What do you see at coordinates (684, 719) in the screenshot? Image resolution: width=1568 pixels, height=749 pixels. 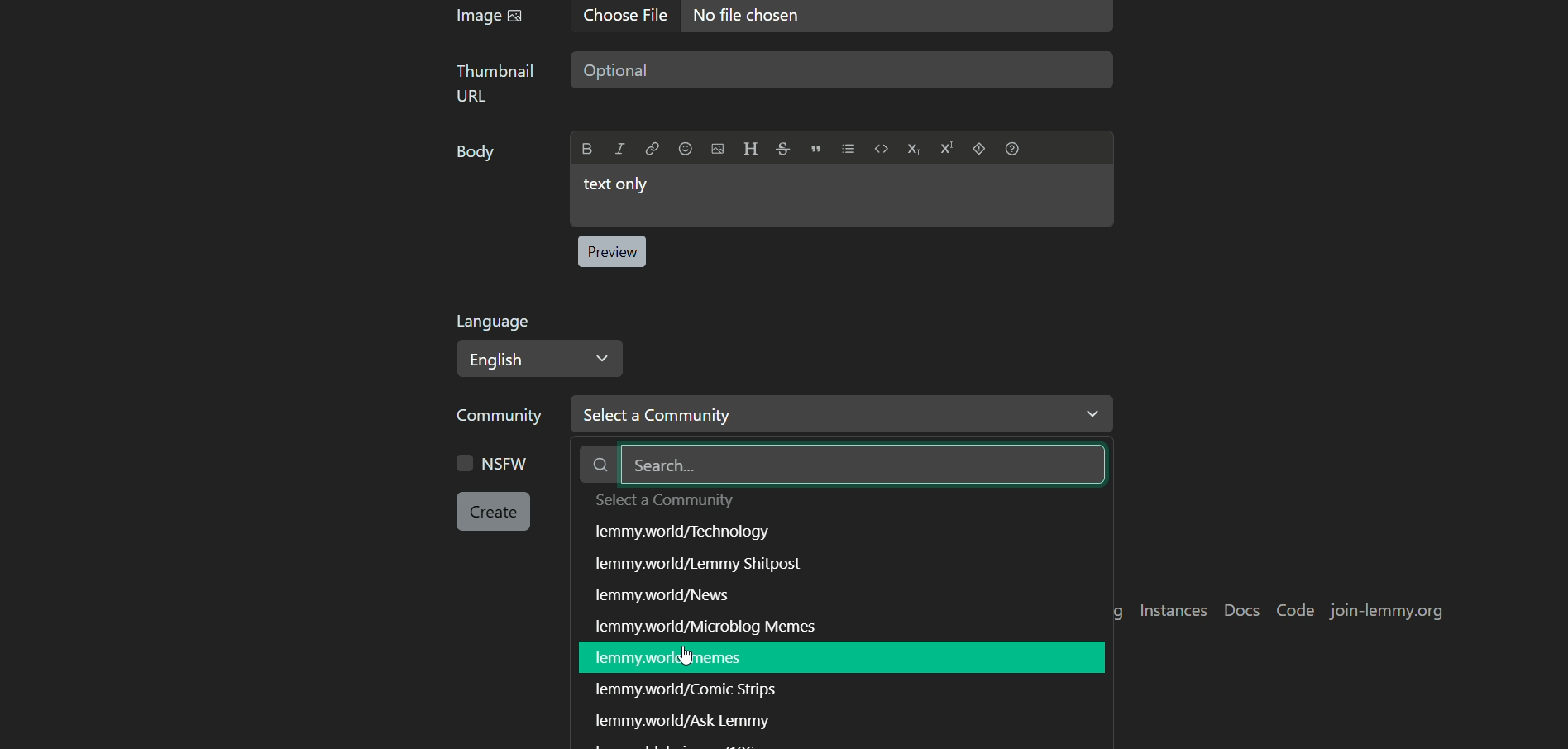 I see `text` at bounding box center [684, 719].